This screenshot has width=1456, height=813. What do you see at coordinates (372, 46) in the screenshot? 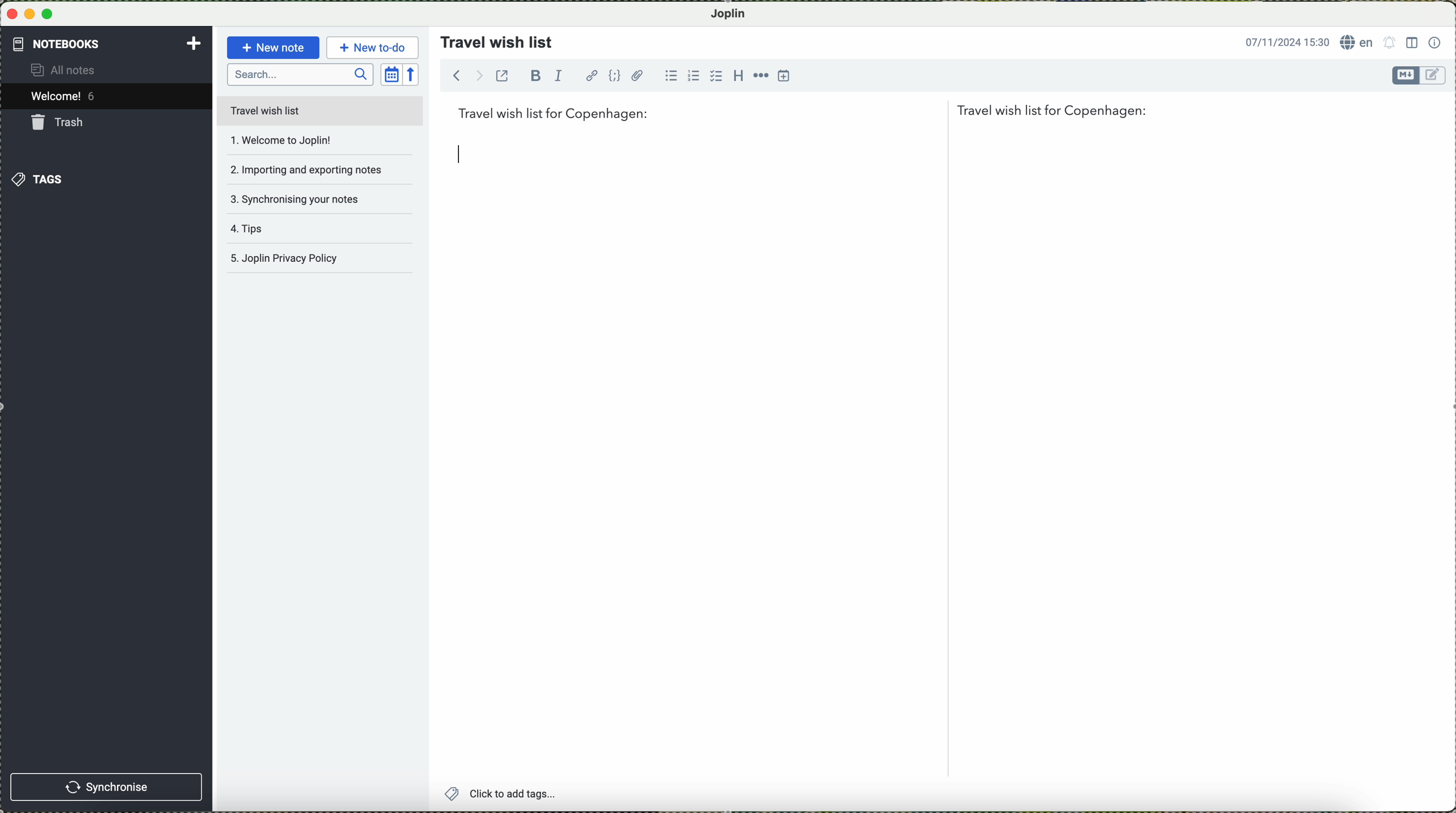
I see `new to-do` at bounding box center [372, 46].